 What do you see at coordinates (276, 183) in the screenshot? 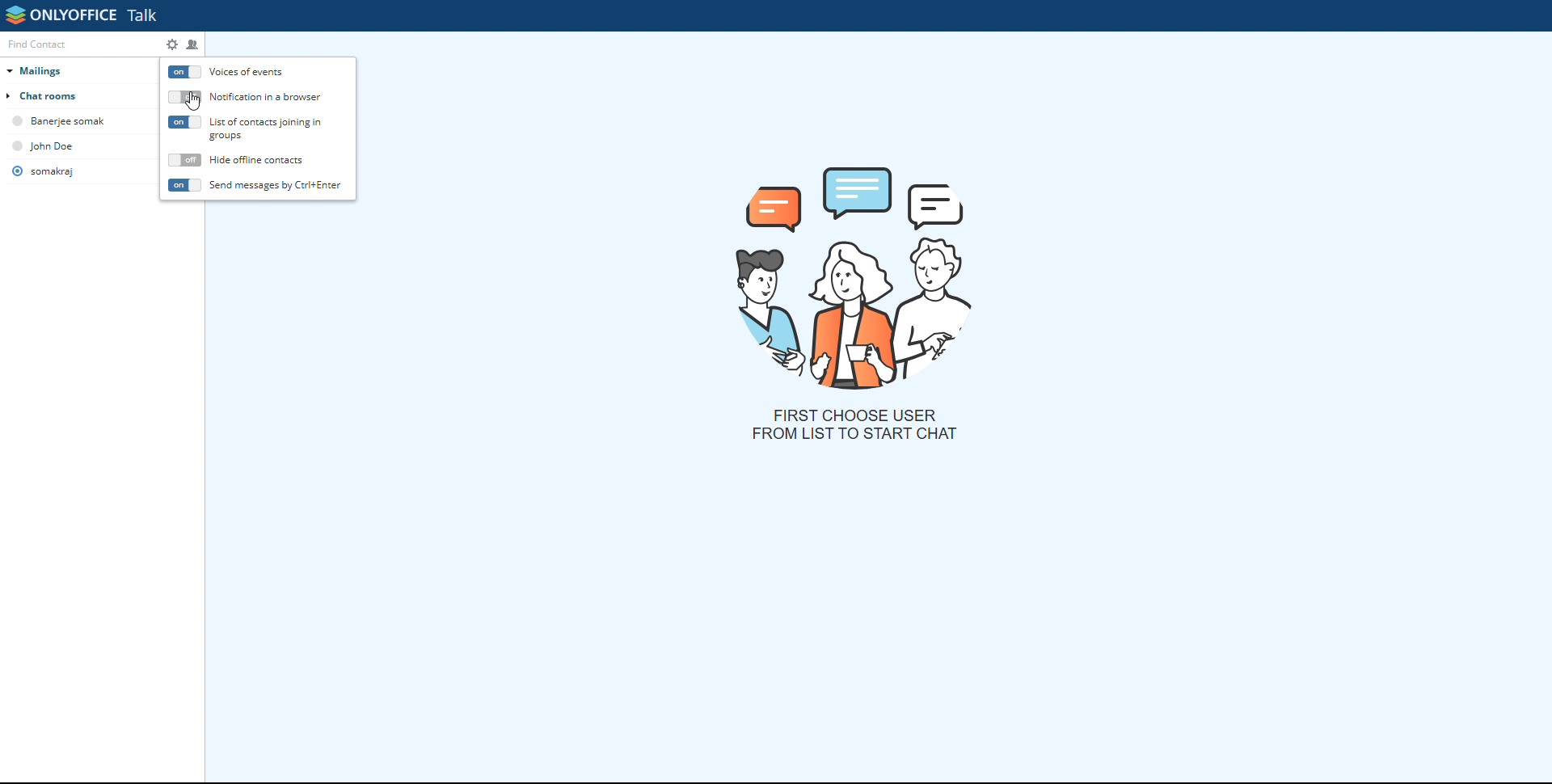
I see `send messages by Ctrl+Enter` at bounding box center [276, 183].